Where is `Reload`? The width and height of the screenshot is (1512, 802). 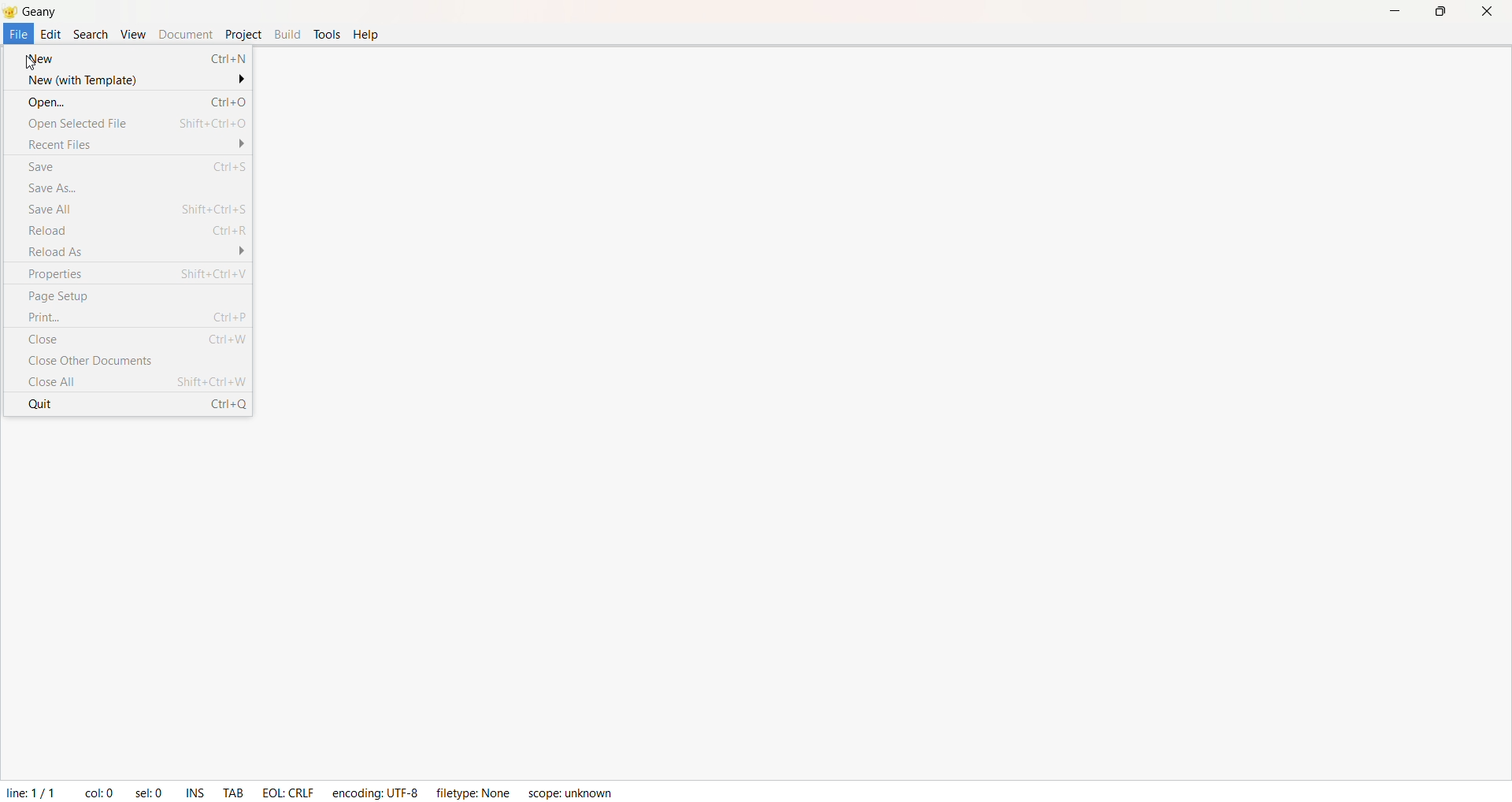
Reload is located at coordinates (135, 233).